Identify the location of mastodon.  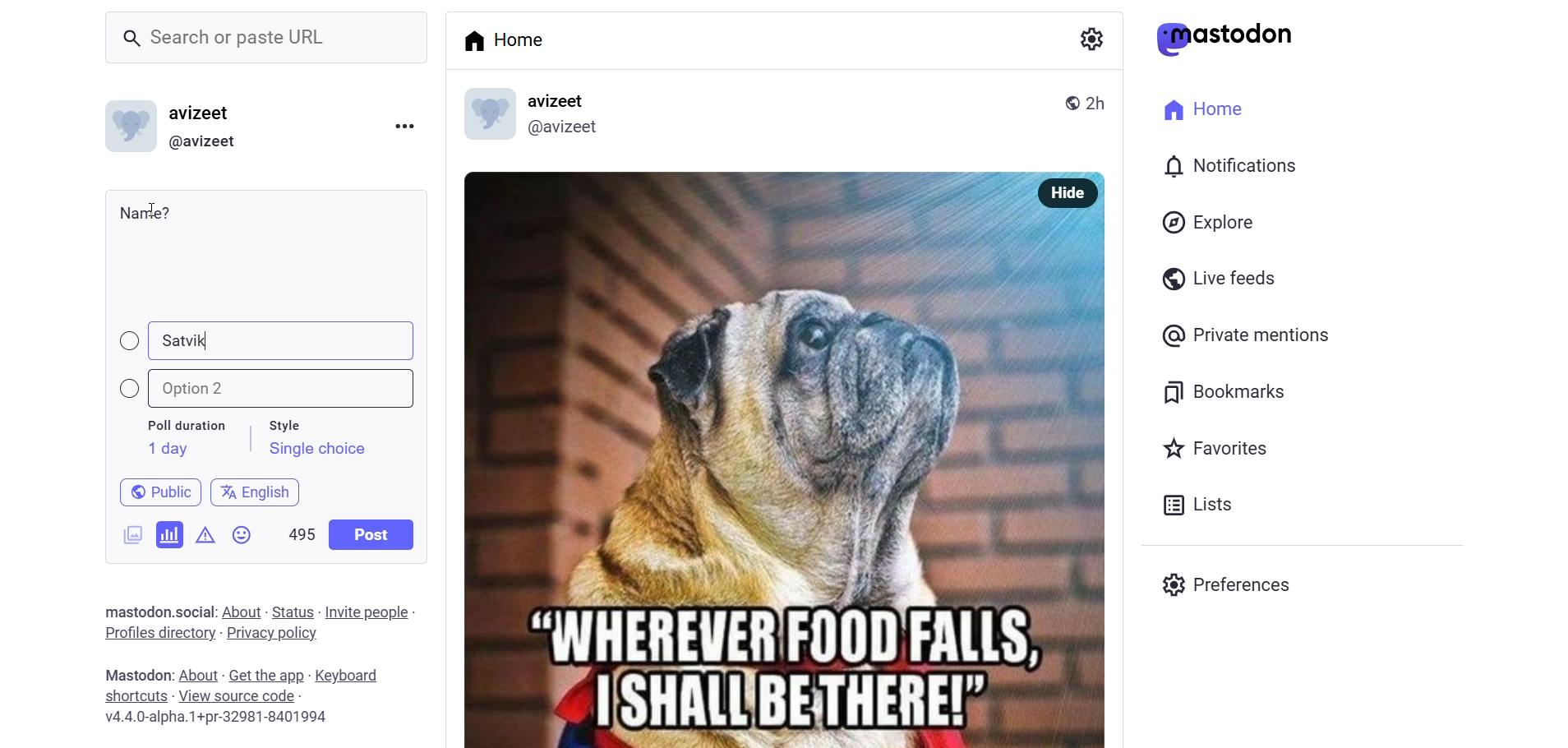
(133, 609).